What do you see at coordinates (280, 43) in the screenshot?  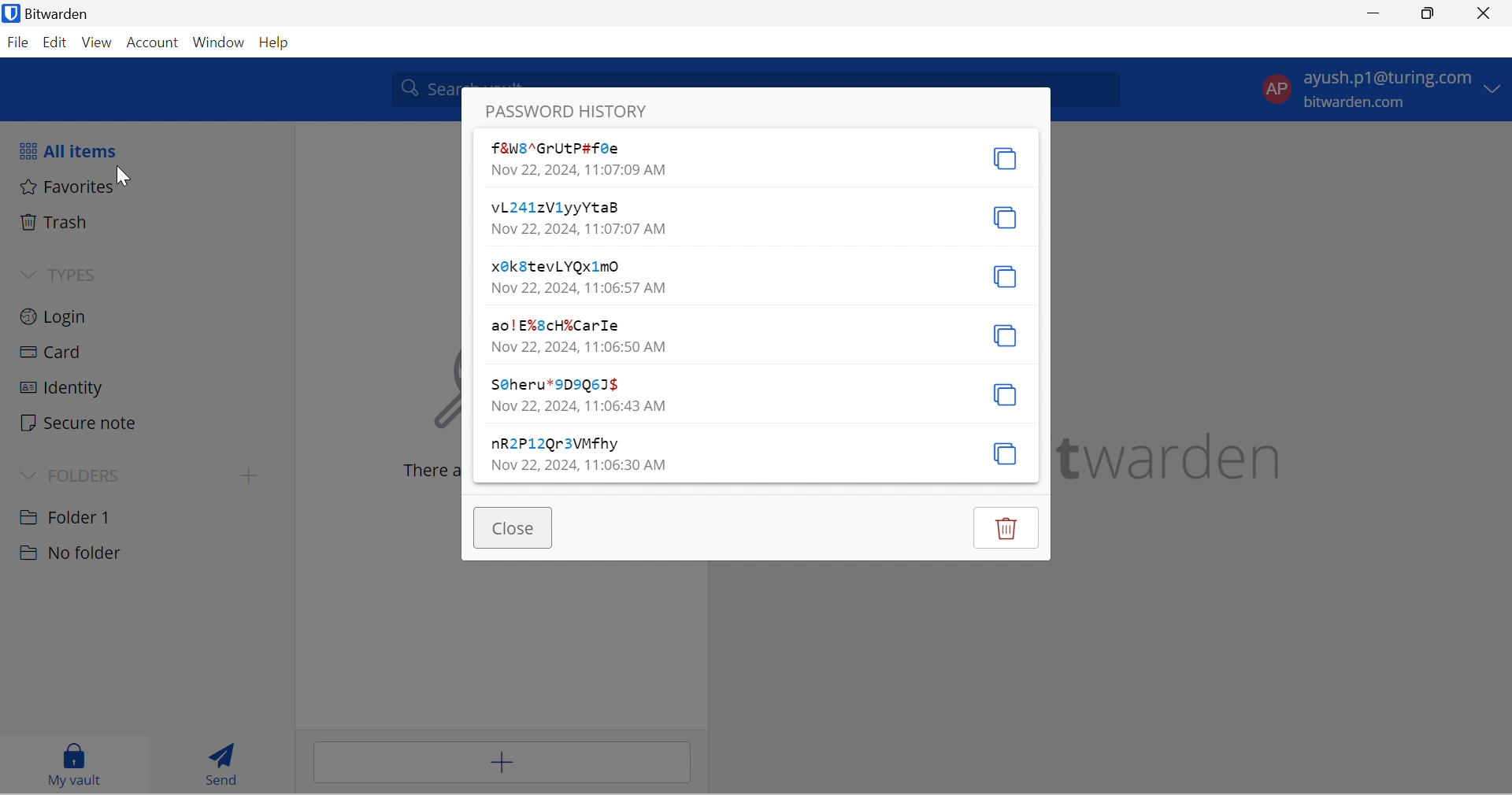 I see `Help` at bounding box center [280, 43].